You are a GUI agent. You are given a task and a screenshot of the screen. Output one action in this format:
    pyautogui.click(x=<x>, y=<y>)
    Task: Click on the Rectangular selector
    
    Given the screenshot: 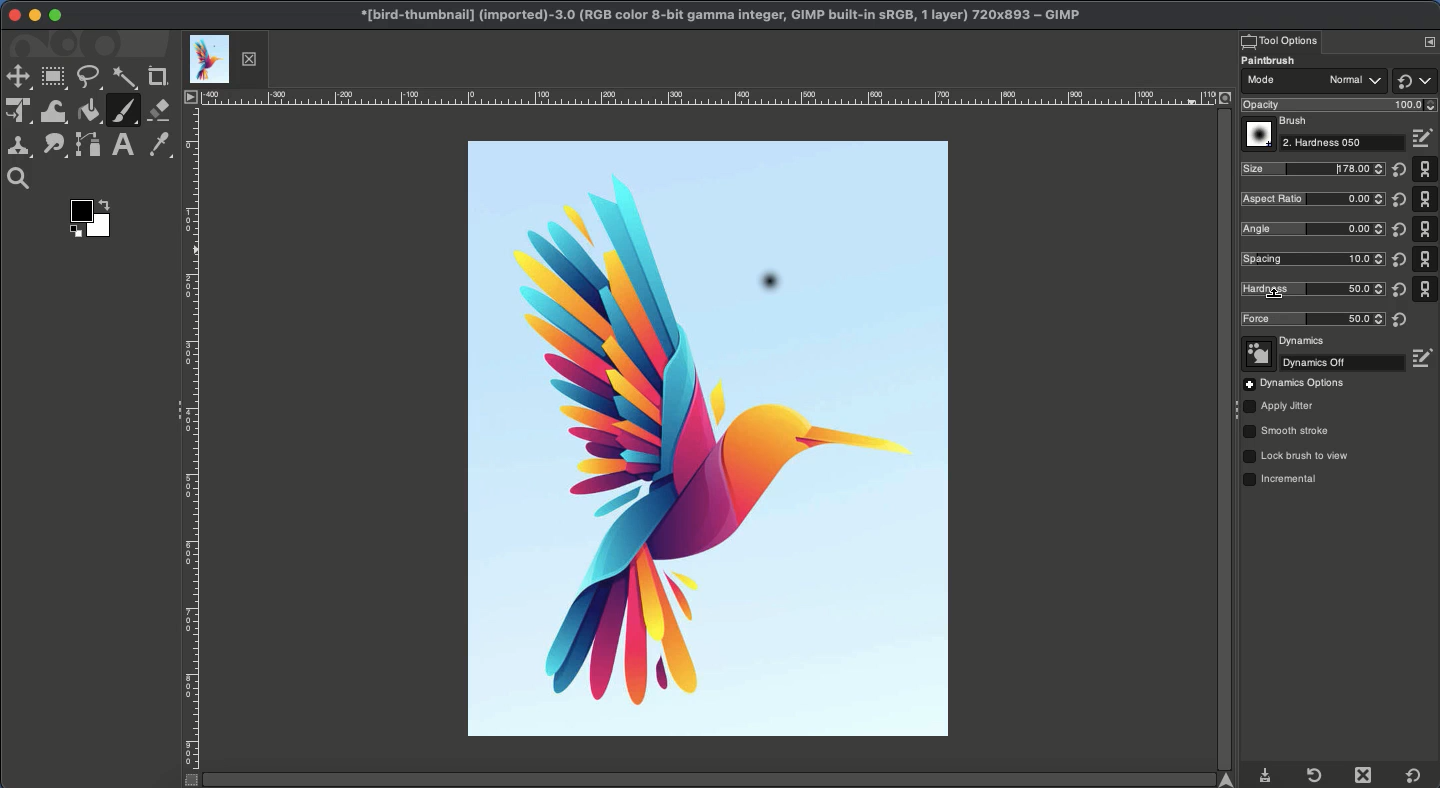 What is the action you would take?
    pyautogui.click(x=53, y=78)
    